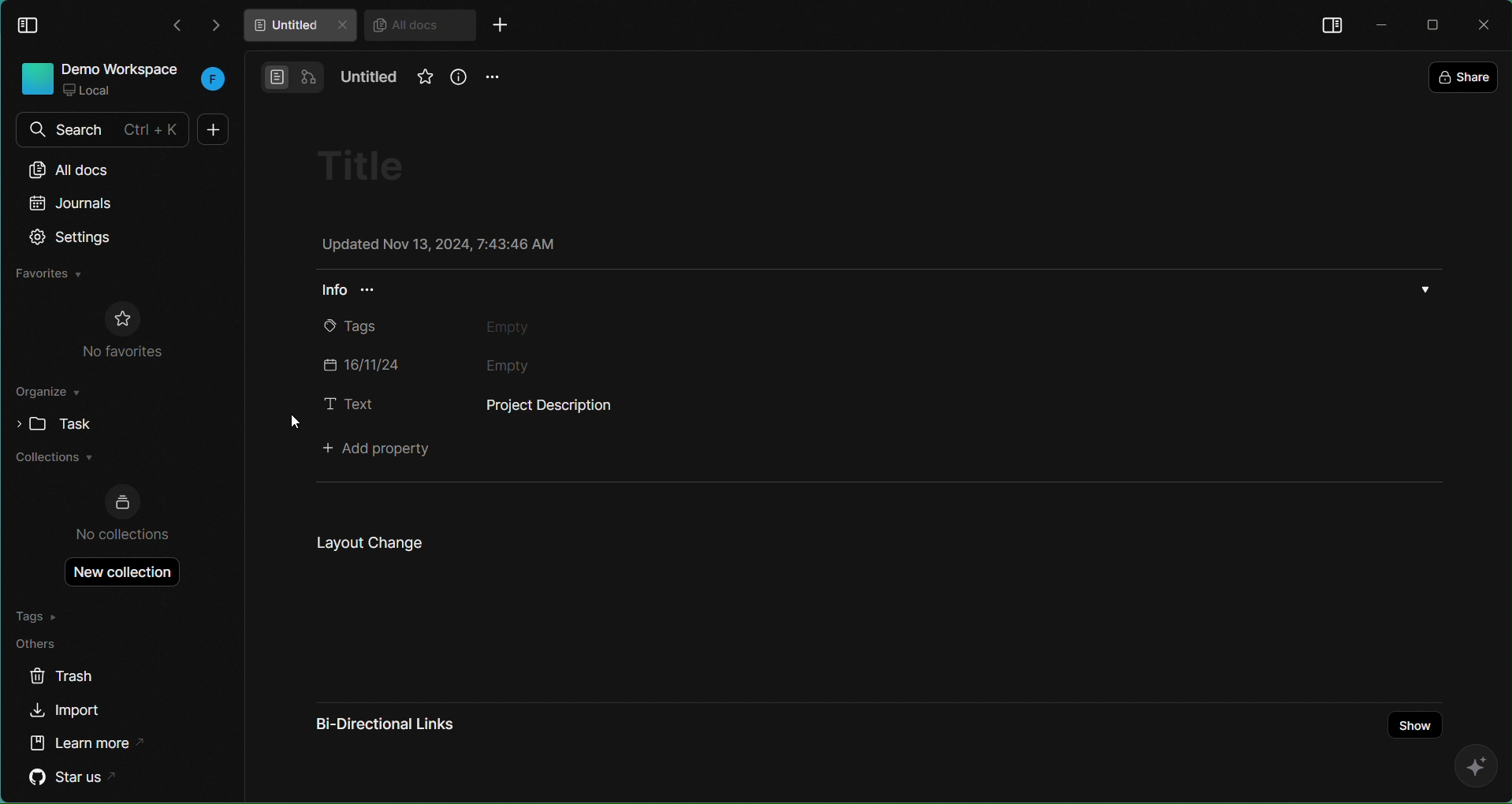 The image size is (1512, 804). What do you see at coordinates (371, 78) in the screenshot?
I see `Untitled` at bounding box center [371, 78].